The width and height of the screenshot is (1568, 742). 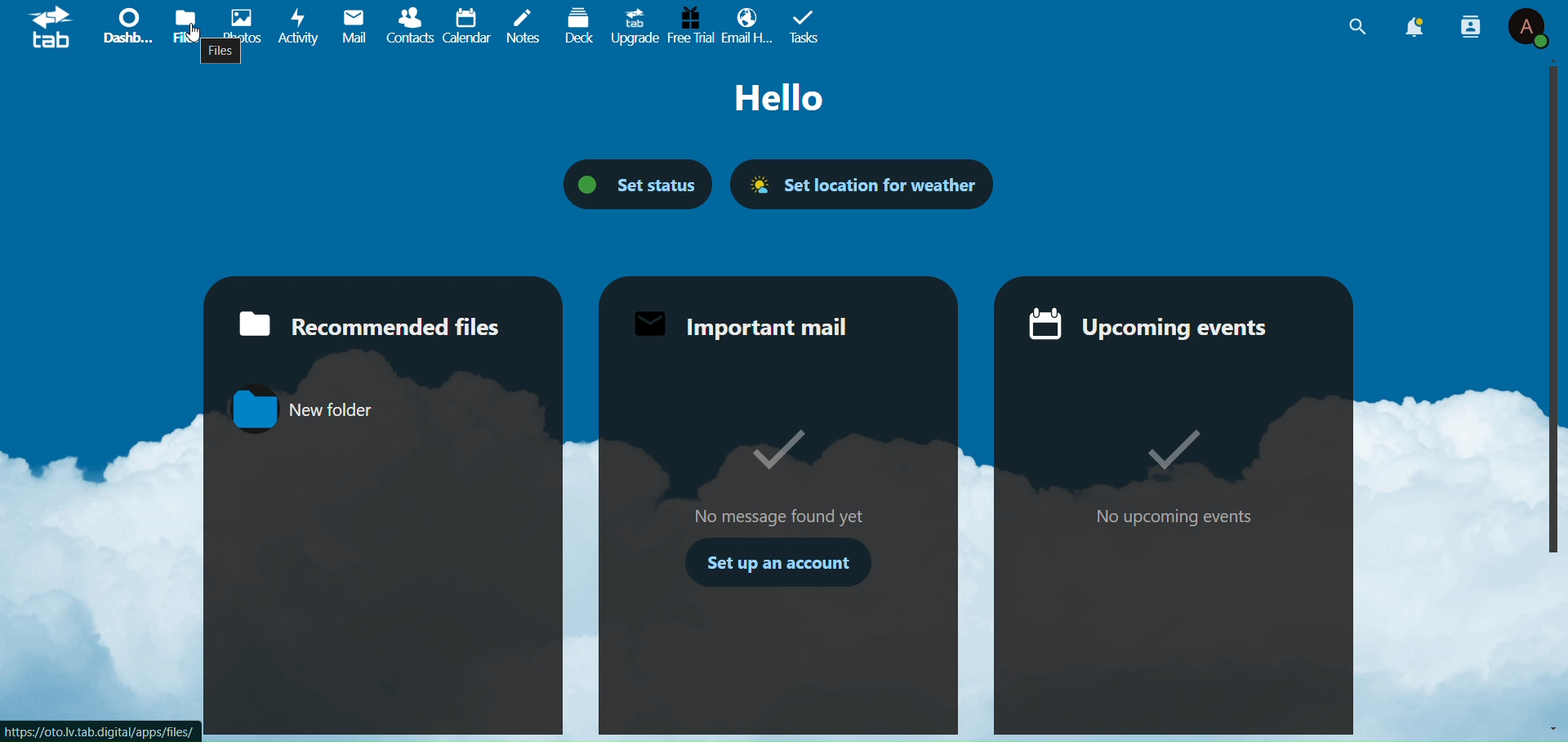 I want to click on File, so click(x=222, y=55).